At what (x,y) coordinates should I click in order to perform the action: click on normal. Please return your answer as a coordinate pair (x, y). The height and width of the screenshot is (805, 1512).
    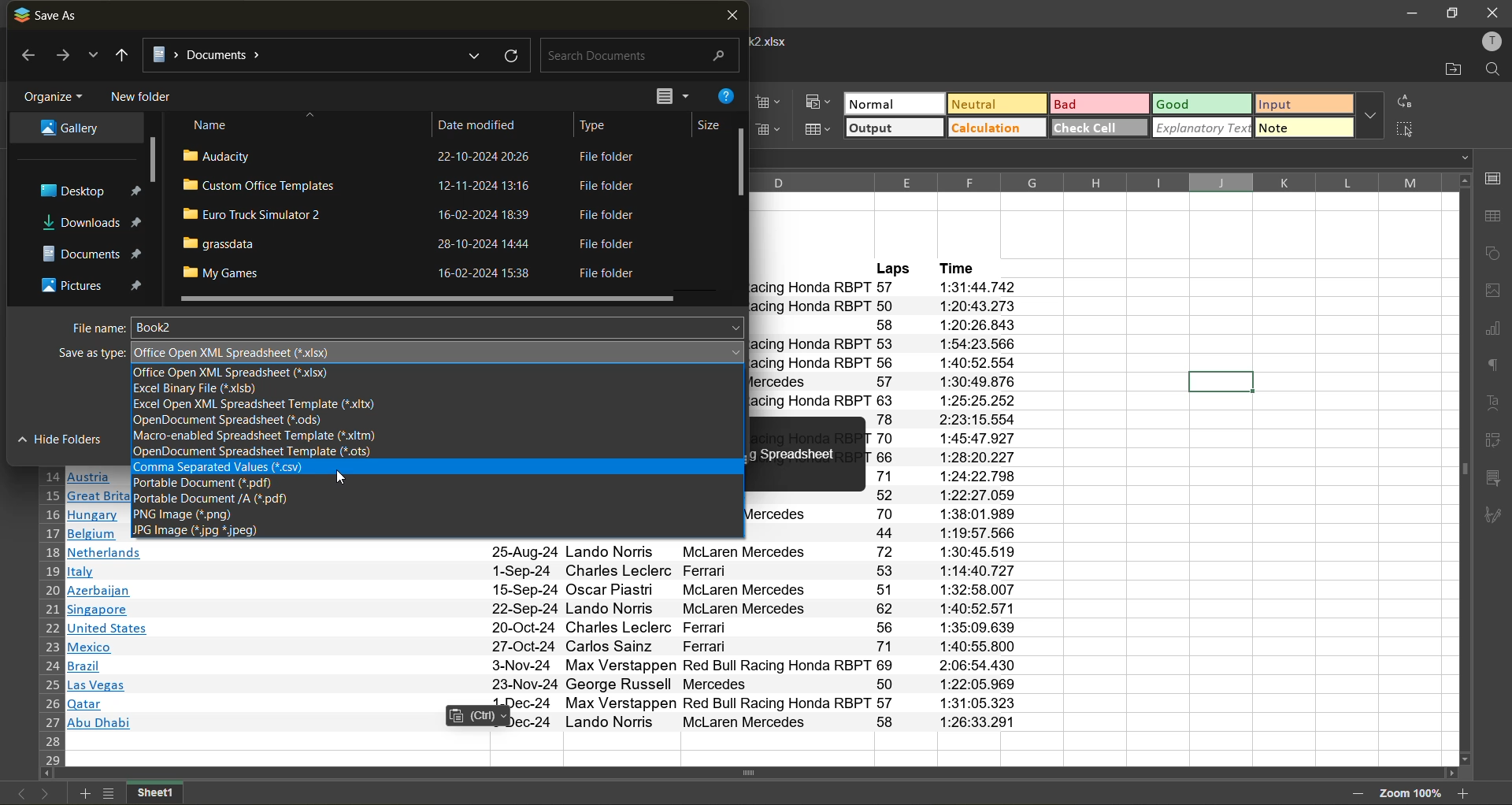
    Looking at the image, I should click on (894, 102).